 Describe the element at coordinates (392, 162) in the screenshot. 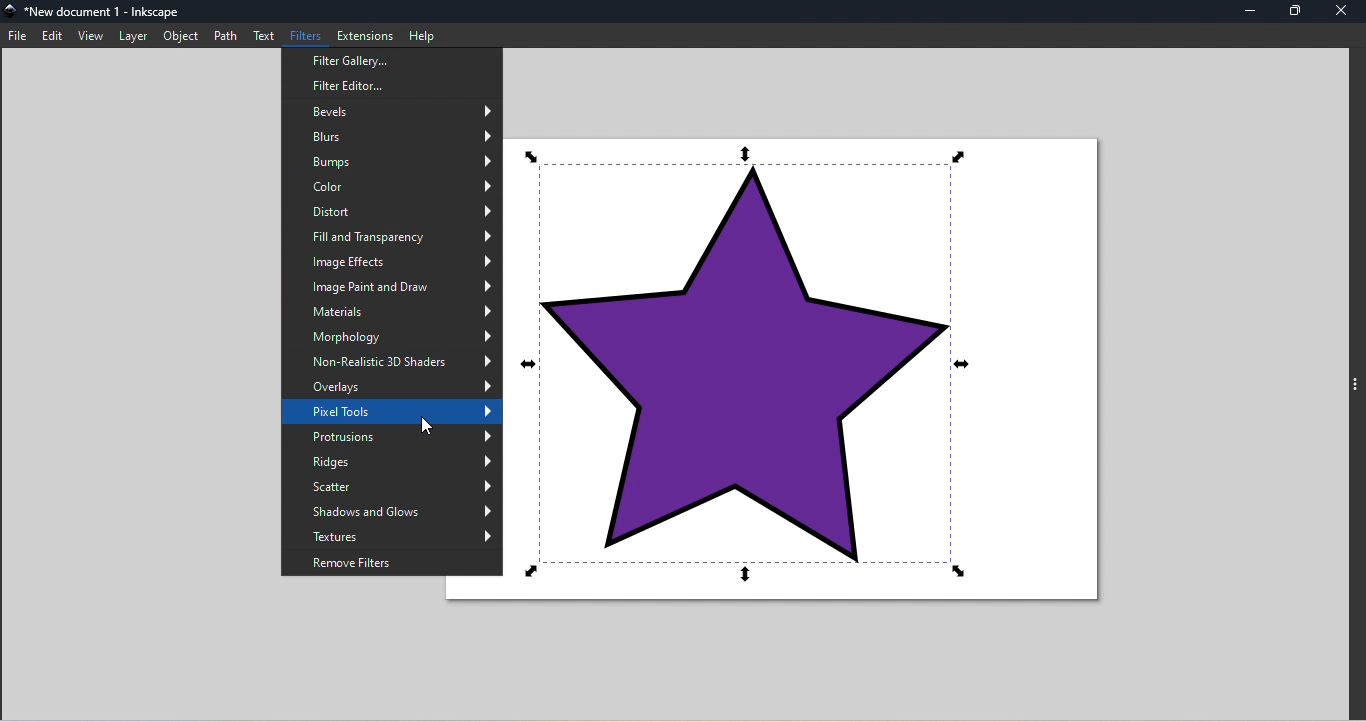

I see `Bumps` at that location.